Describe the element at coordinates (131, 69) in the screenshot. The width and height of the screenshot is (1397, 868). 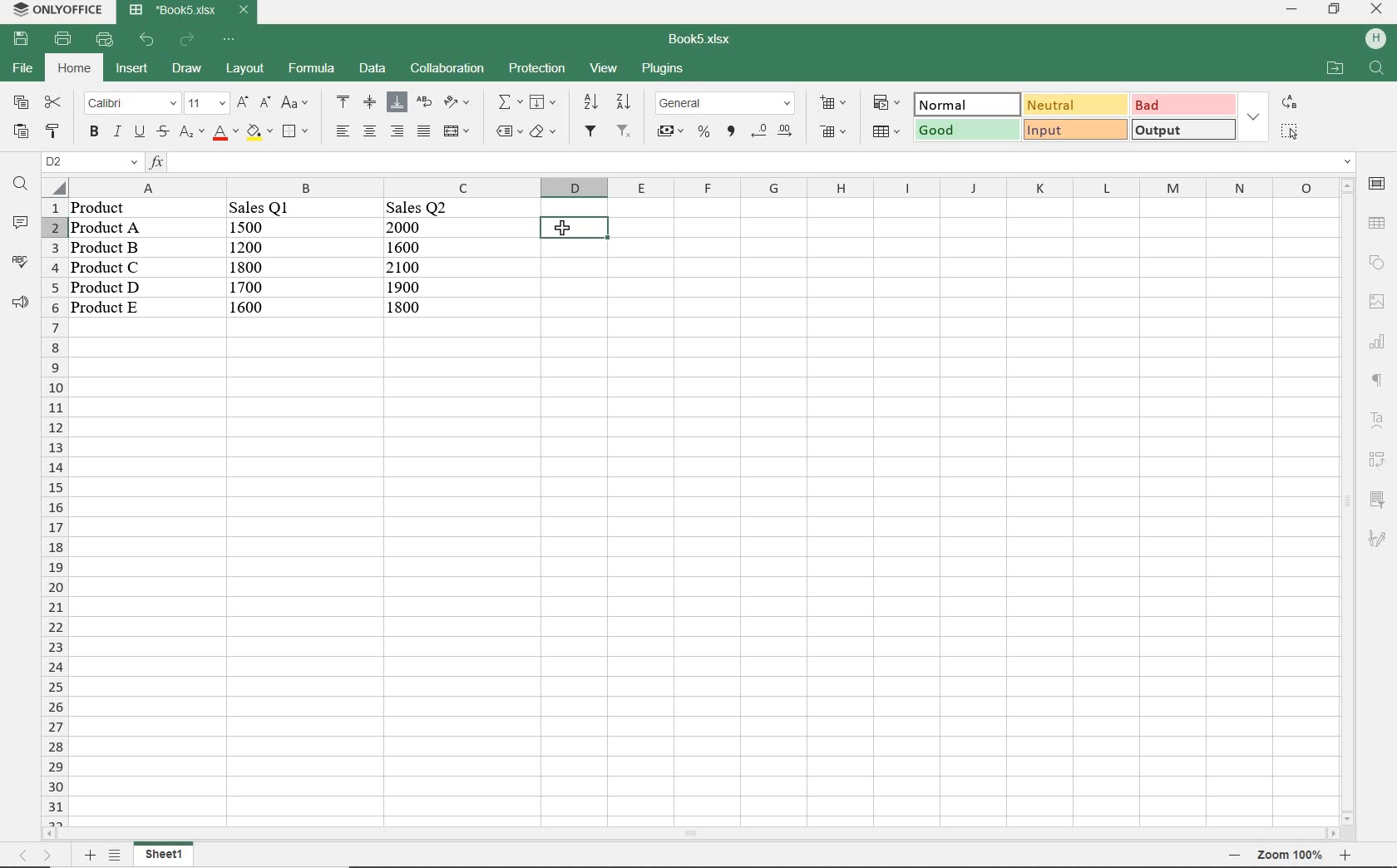
I see `insert` at that location.